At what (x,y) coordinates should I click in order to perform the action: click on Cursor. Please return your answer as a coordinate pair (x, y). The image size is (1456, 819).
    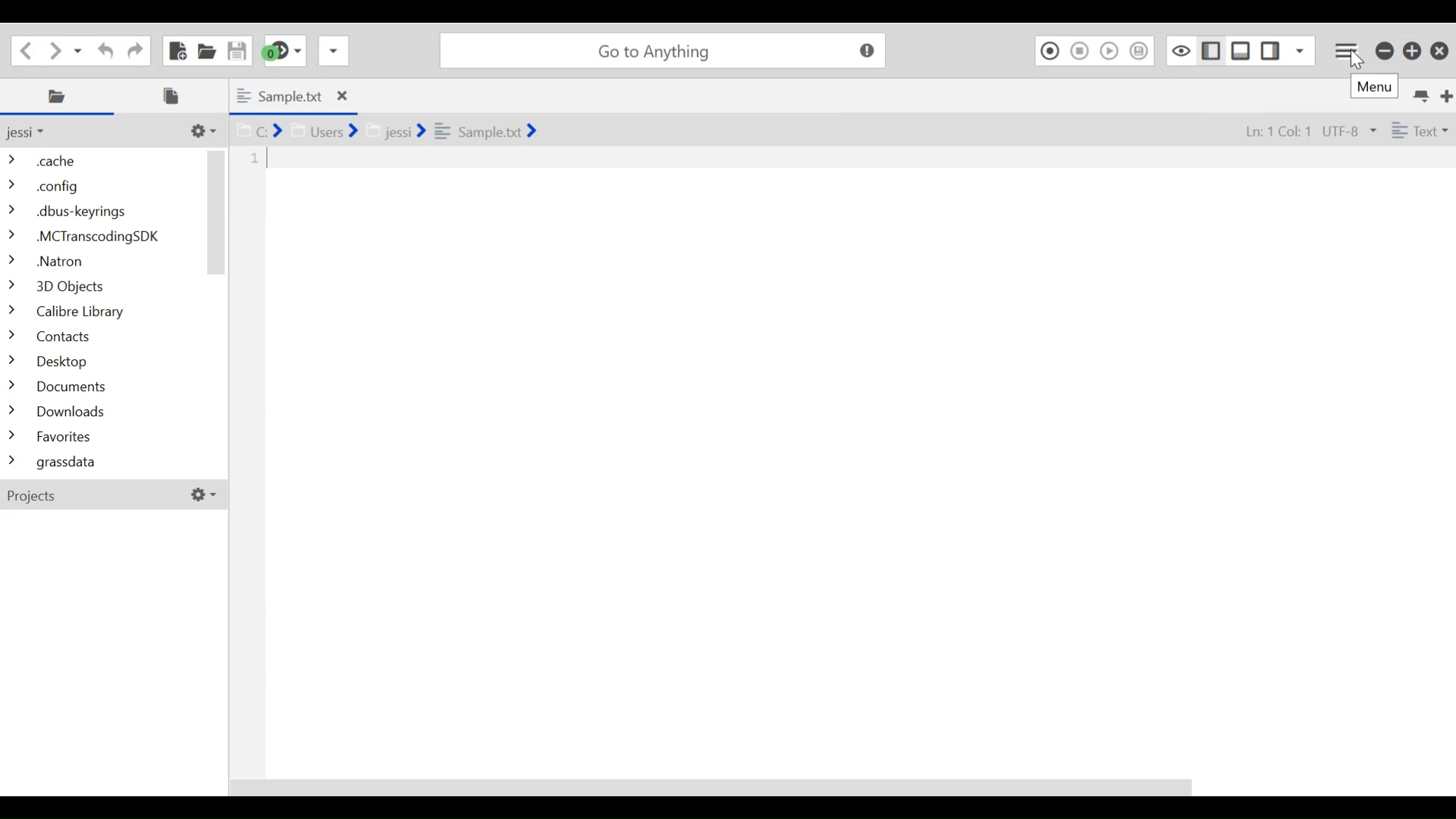
    Looking at the image, I should click on (1352, 60).